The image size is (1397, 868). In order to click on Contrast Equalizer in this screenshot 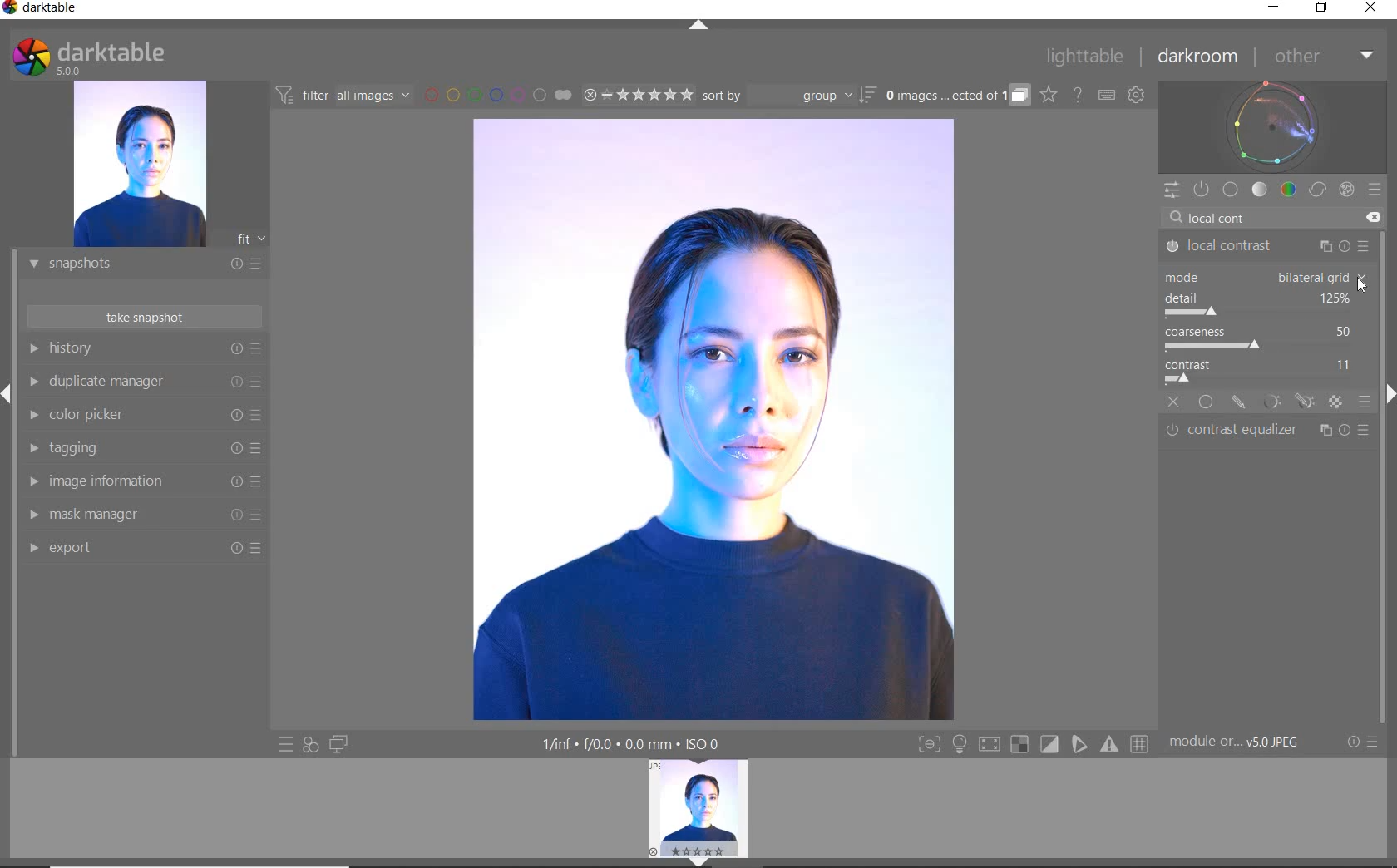, I will do `click(1267, 432)`.